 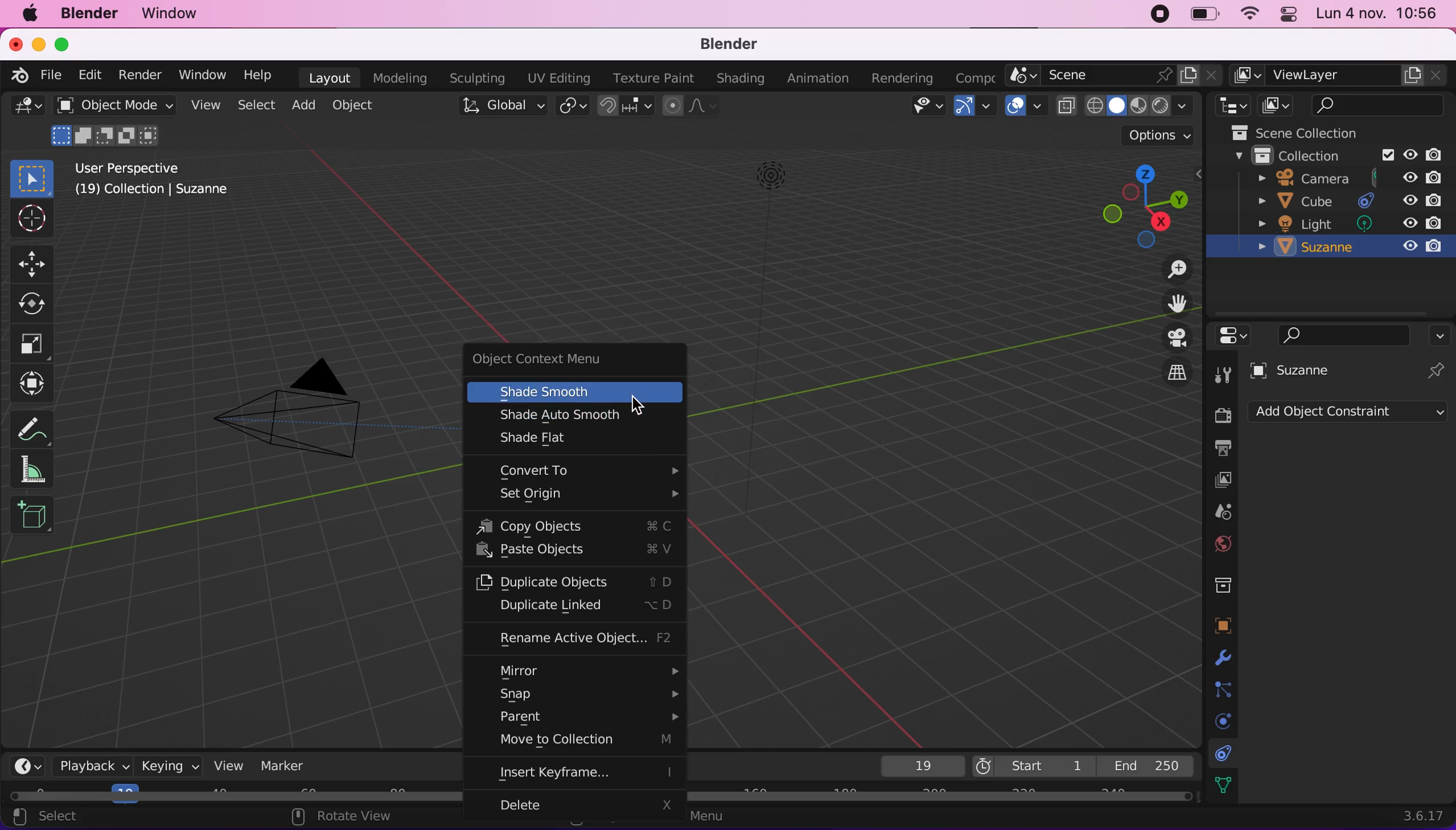 What do you see at coordinates (53, 76) in the screenshot?
I see `file` at bounding box center [53, 76].